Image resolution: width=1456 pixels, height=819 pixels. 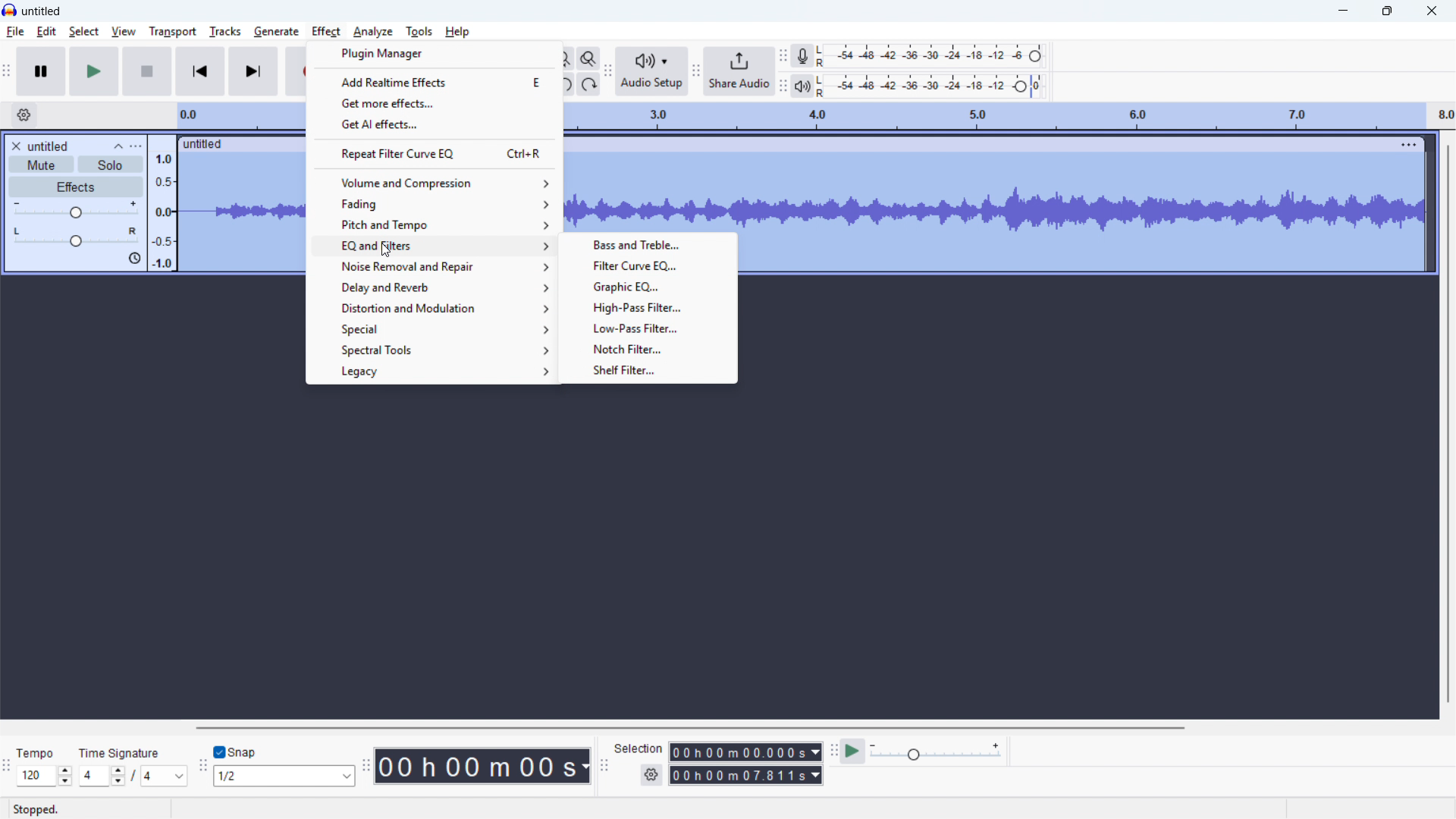 What do you see at coordinates (202, 769) in the screenshot?
I see `Snipping toolbar ` at bounding box center [202, 769].